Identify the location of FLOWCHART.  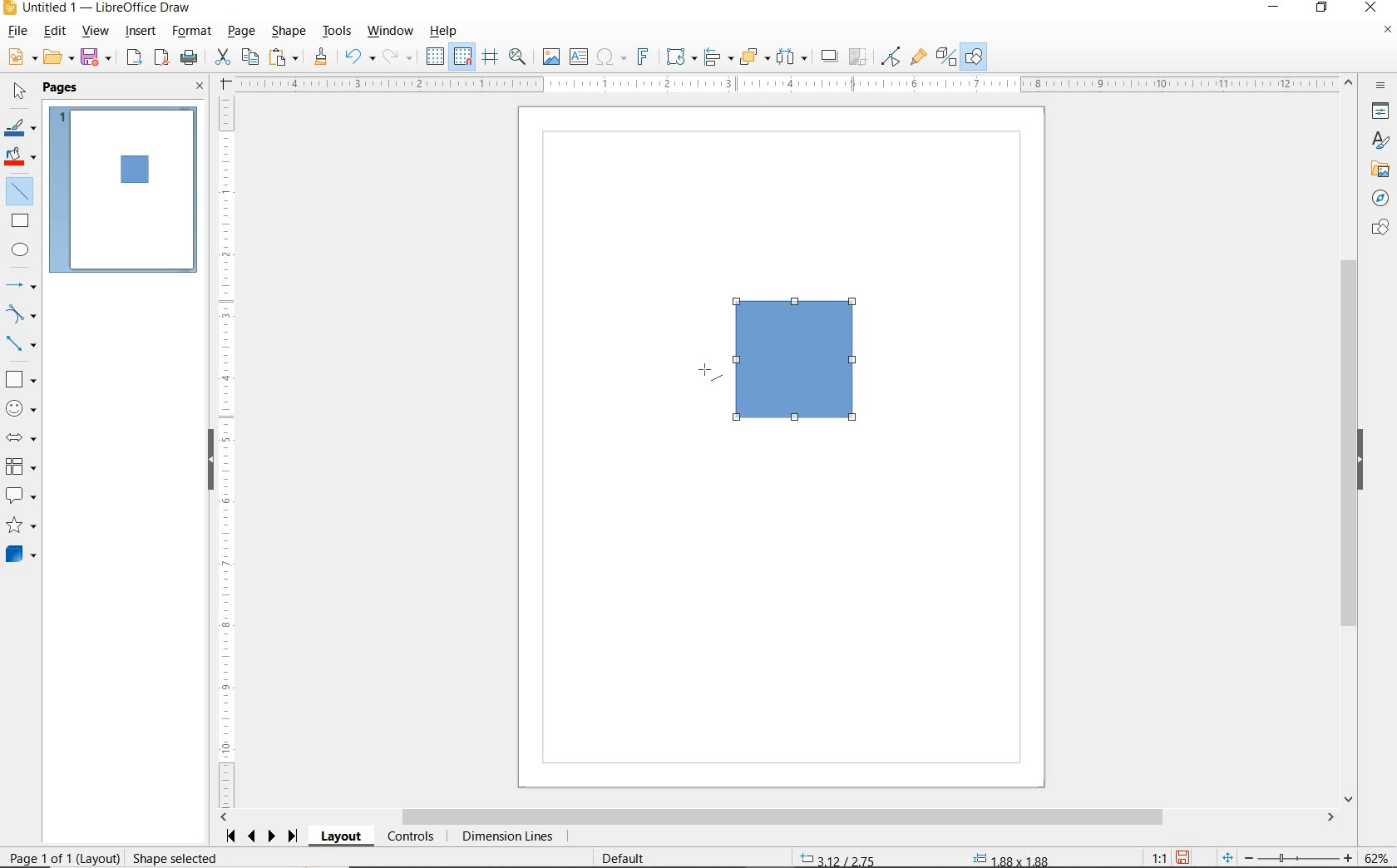
(24, 466).